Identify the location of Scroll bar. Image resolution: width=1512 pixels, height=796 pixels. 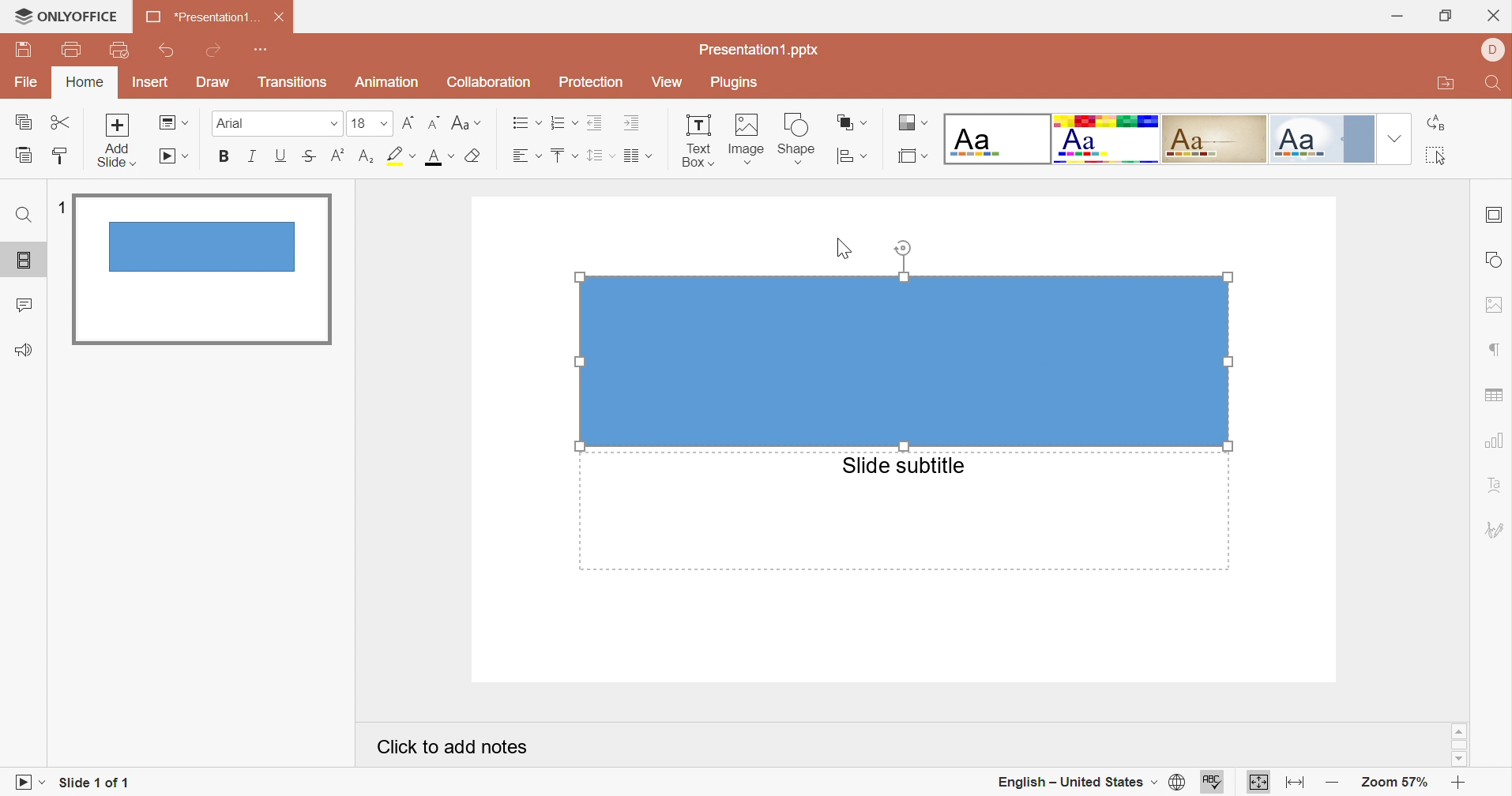
(1460, 745).